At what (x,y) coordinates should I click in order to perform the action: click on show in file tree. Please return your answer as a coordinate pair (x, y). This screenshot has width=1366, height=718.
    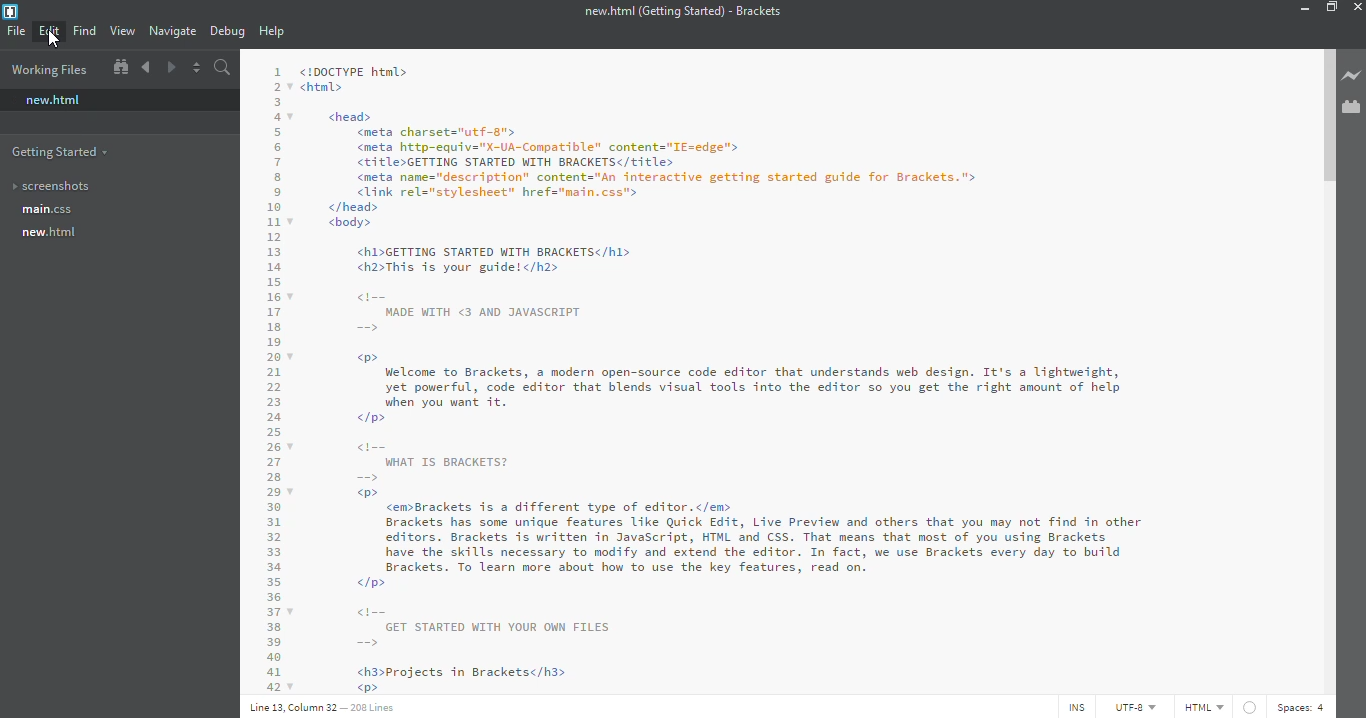
    Looking at the image, I should click on (119, 68).